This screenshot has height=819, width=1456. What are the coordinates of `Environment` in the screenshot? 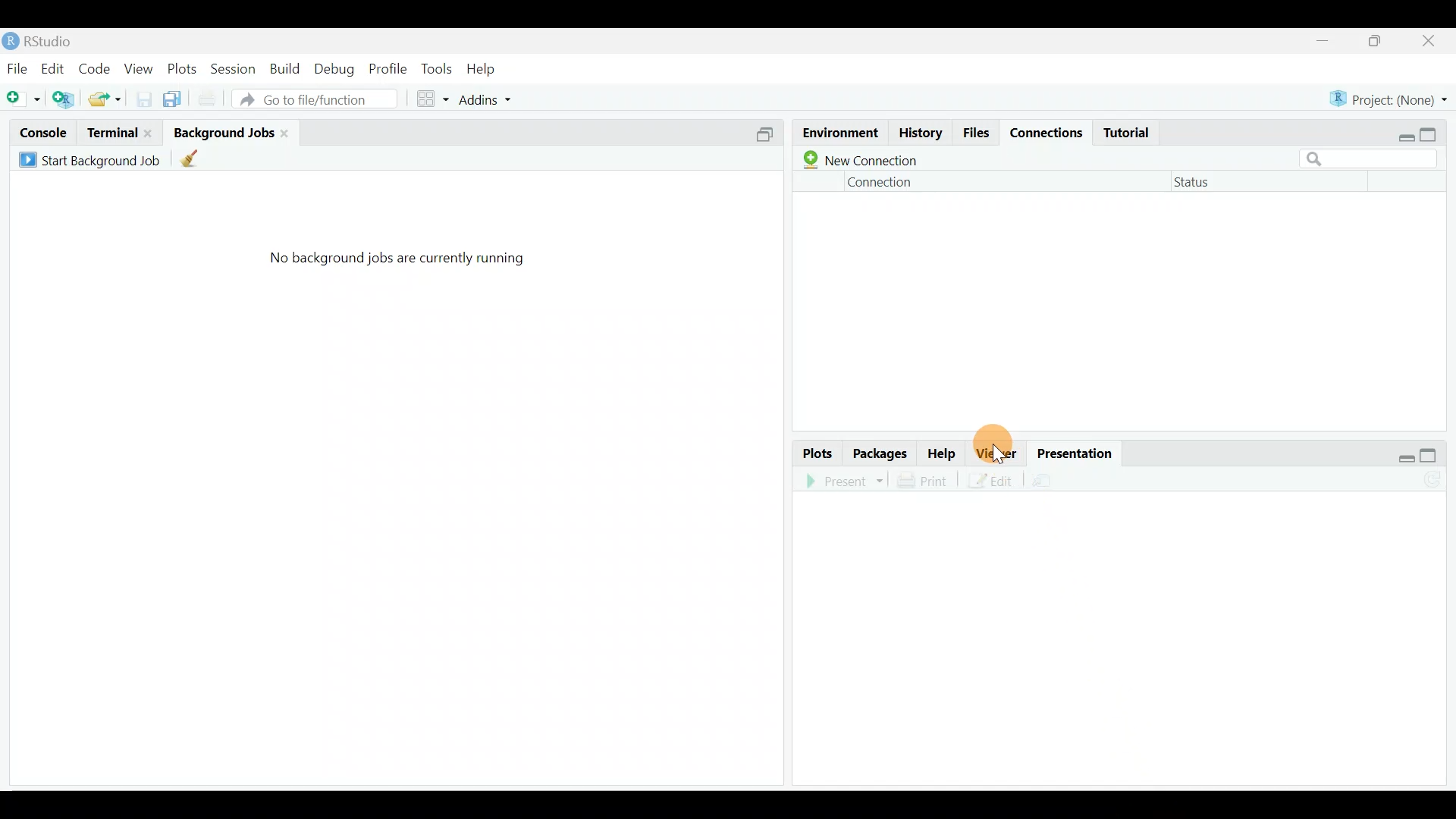 It's located at (839, 129).